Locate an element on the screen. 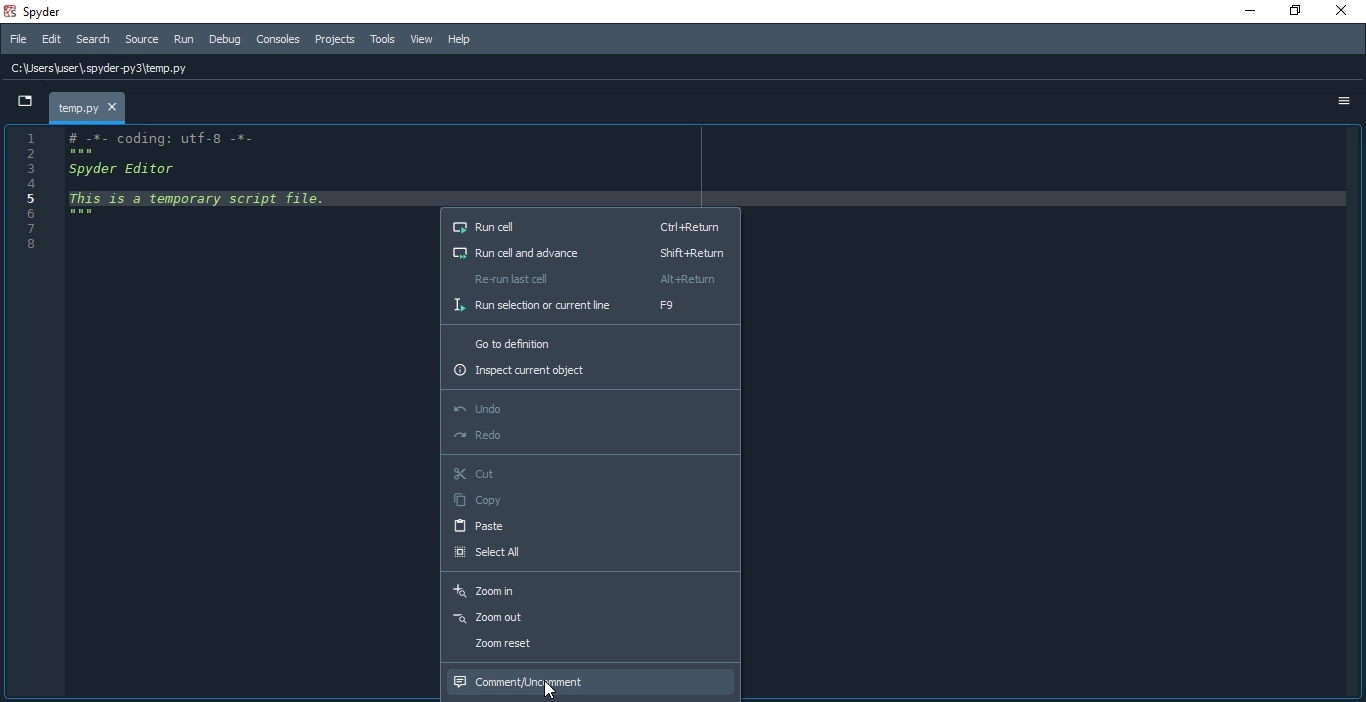 This screenshot has height=702, width=1366. Re-run last cell is located at coordinates (591, 279).